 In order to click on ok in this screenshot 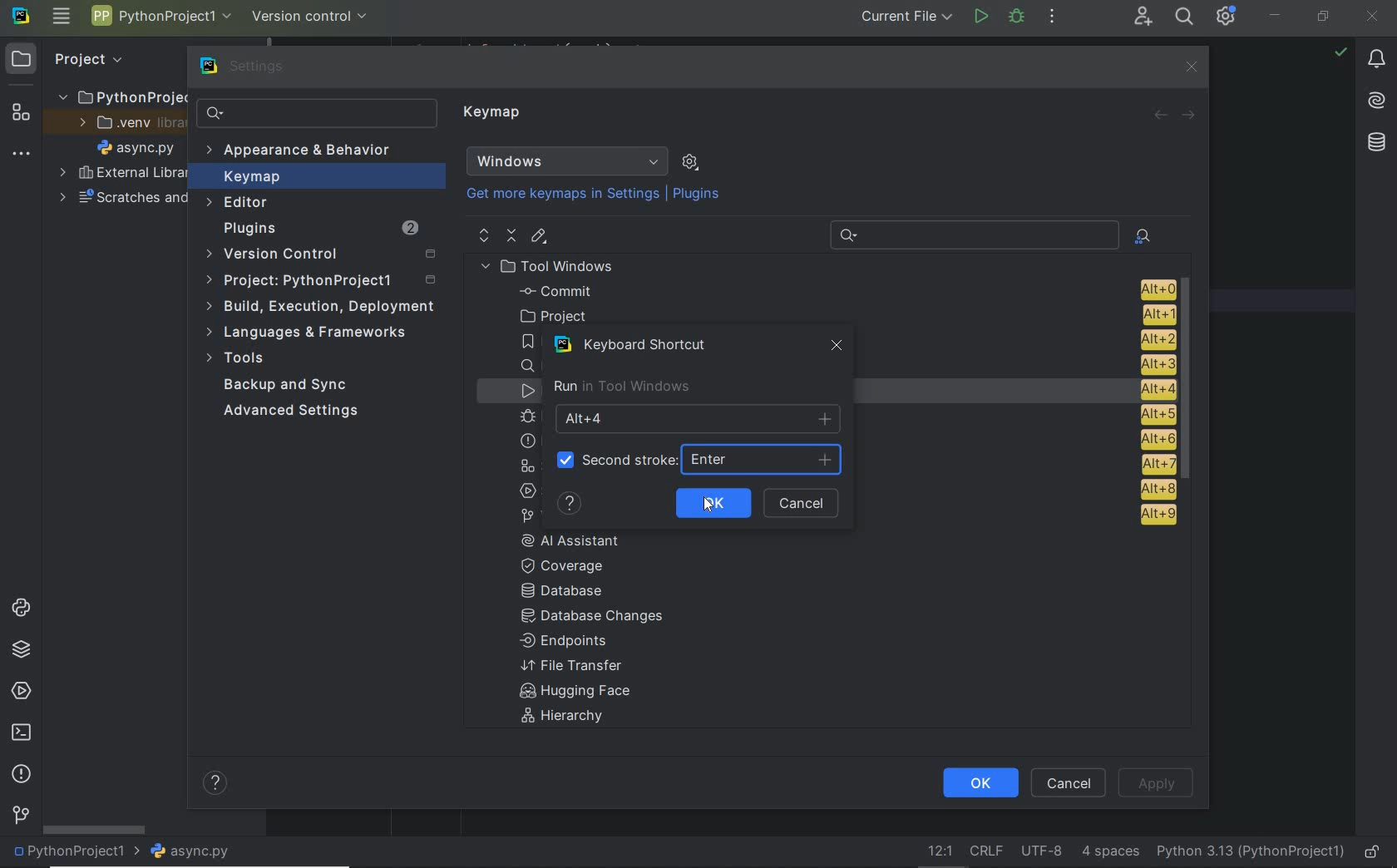, I will do `click(979, 783)`.